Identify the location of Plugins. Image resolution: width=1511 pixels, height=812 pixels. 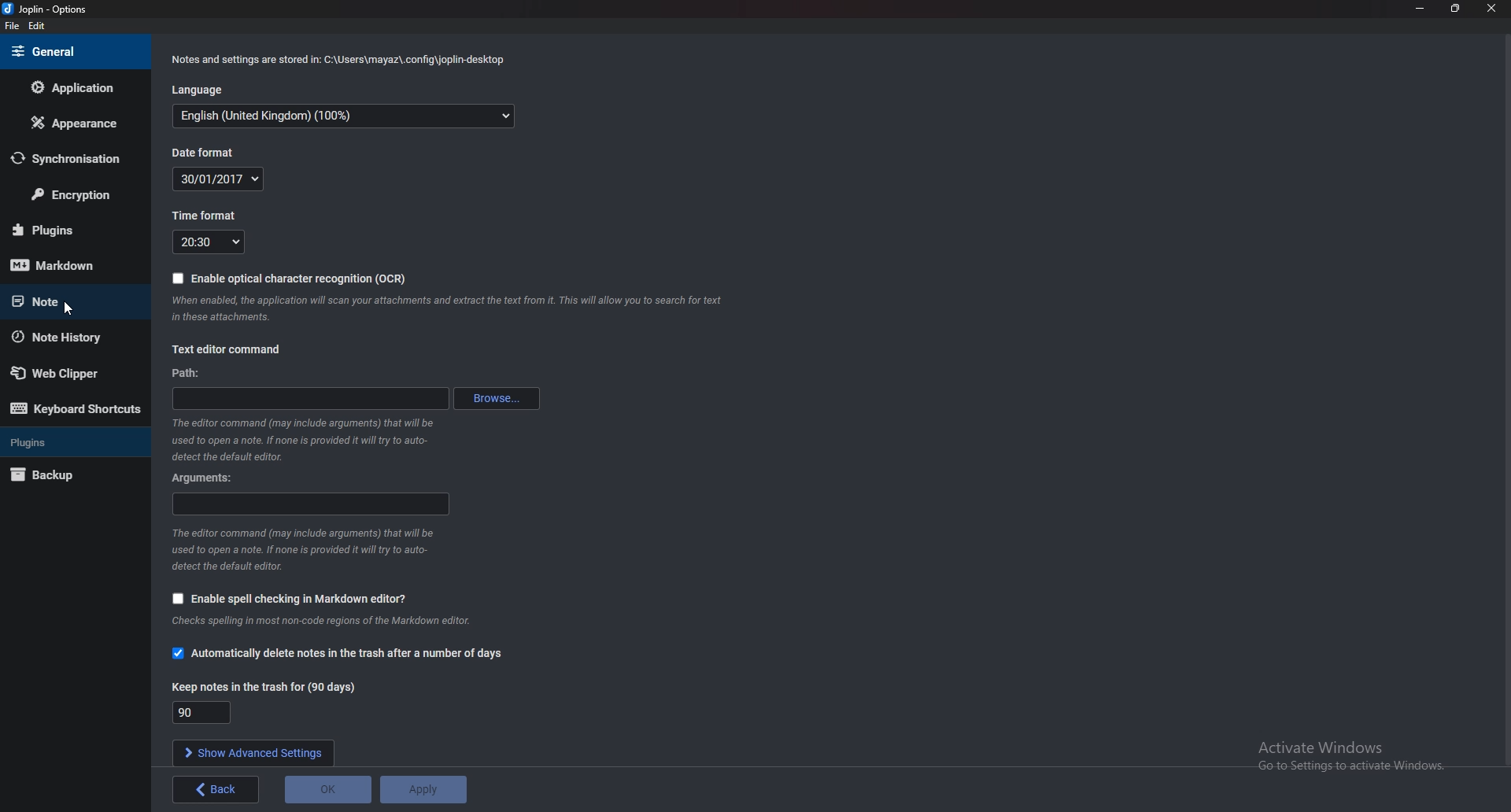
(66, 230).